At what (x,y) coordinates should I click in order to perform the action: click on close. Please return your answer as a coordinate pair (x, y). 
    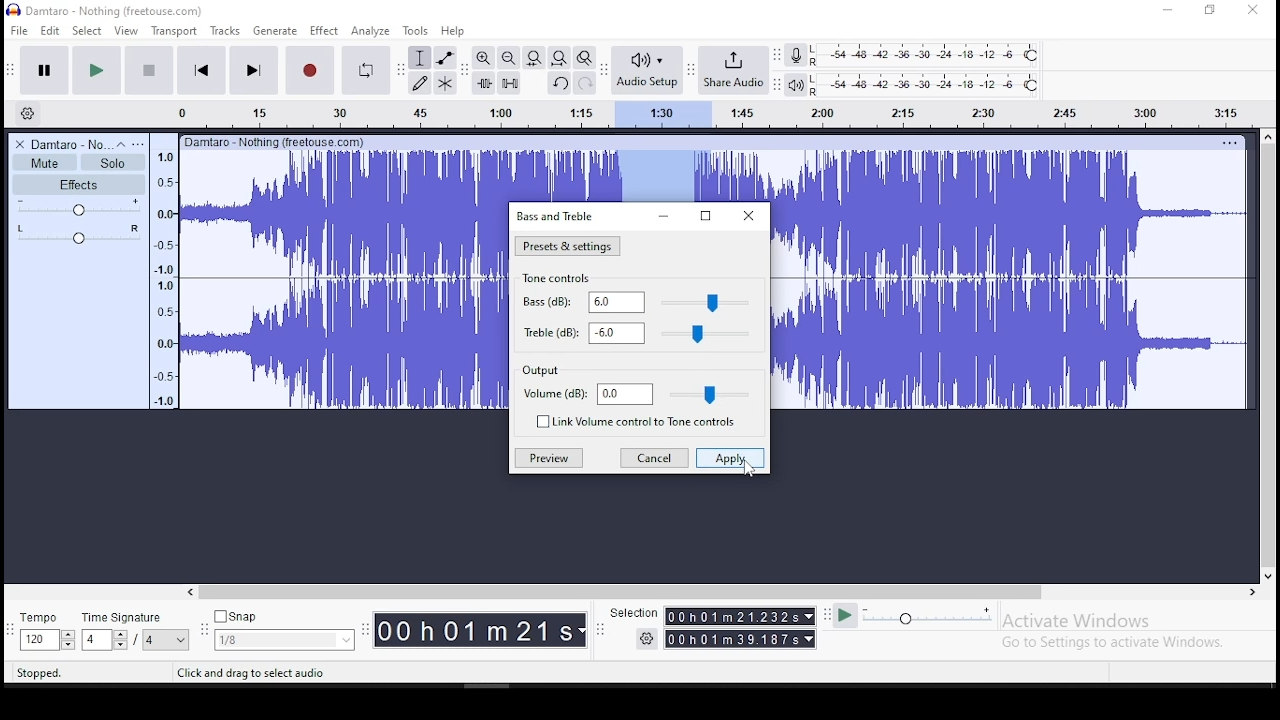
    Looking at the image, I should click on (1252, 11).